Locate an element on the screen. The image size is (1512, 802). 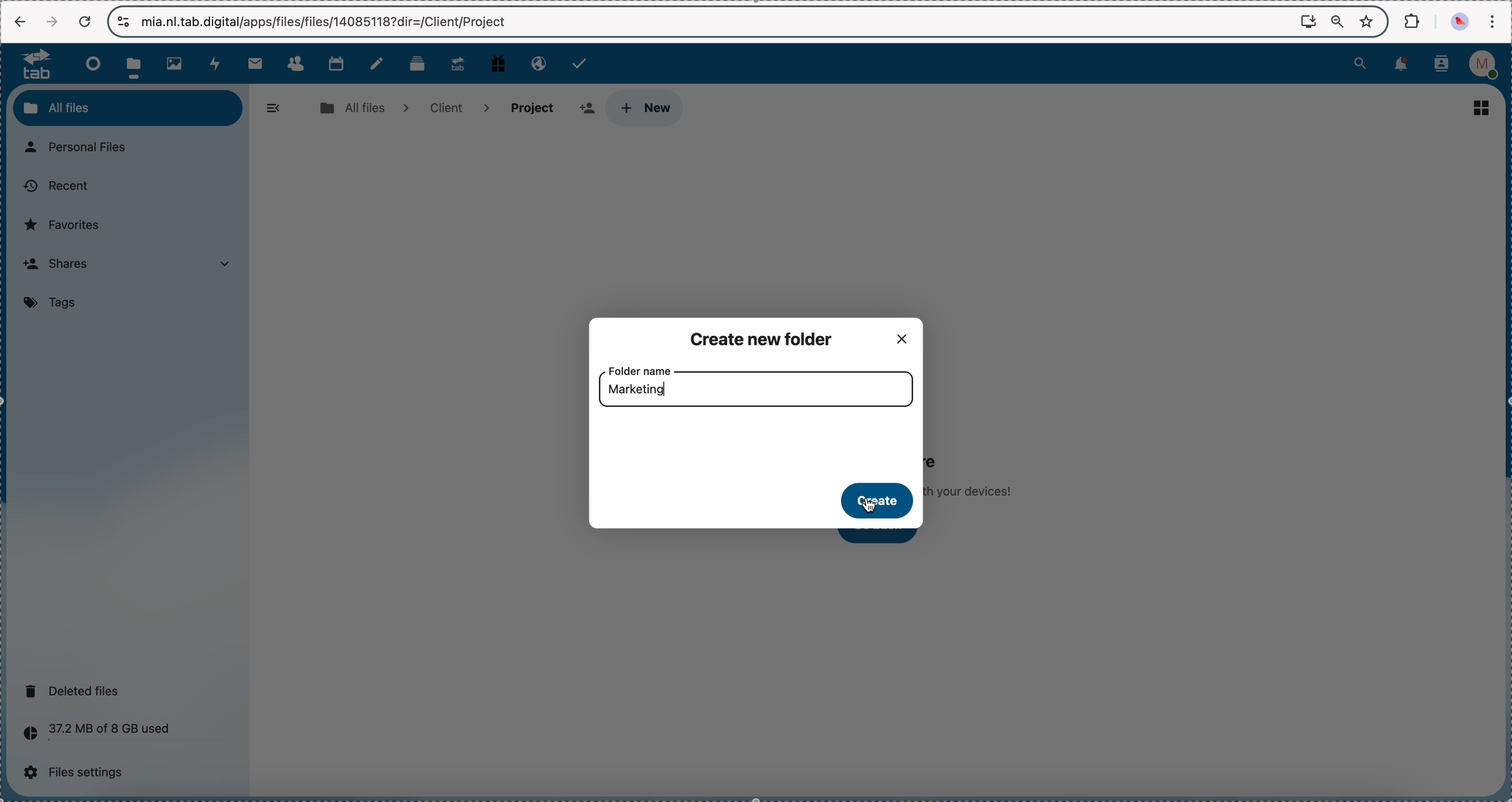
recent is located at coordinates (55, 187).